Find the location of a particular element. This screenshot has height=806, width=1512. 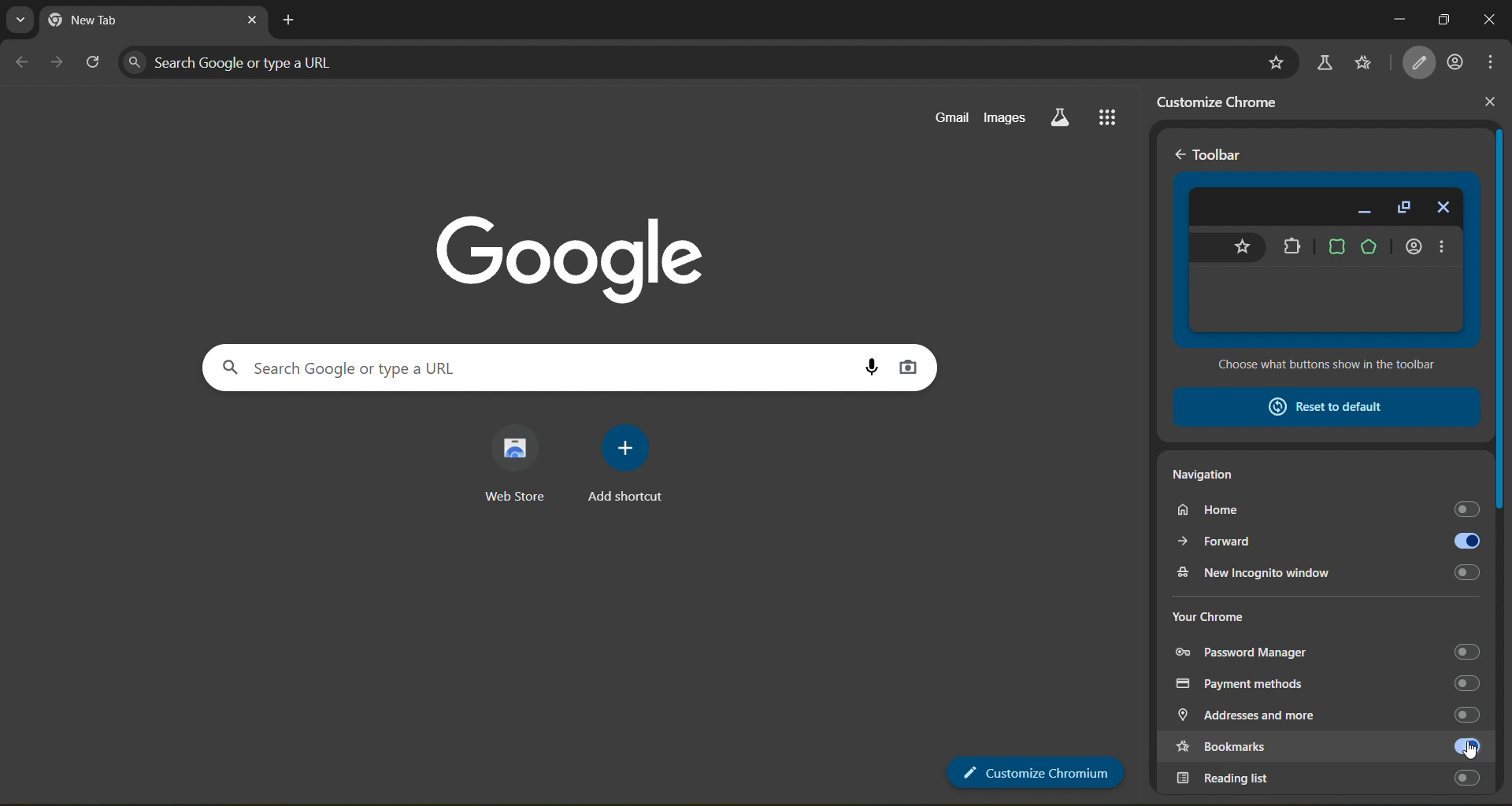

add shortcut is located at coordinates (632, 466).